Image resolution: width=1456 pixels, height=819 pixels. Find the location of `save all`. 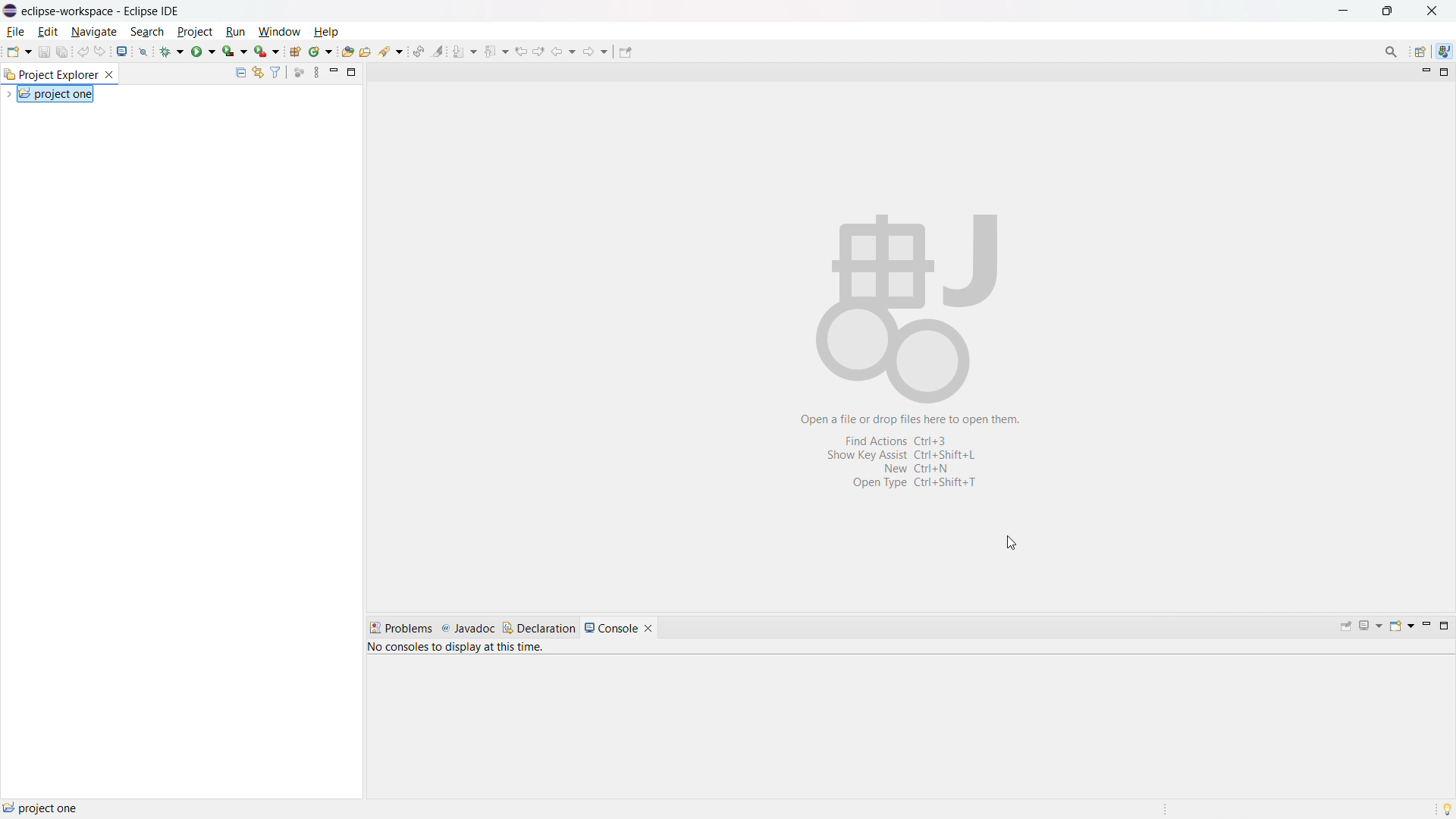

save all is located at coordinates (63, 52).